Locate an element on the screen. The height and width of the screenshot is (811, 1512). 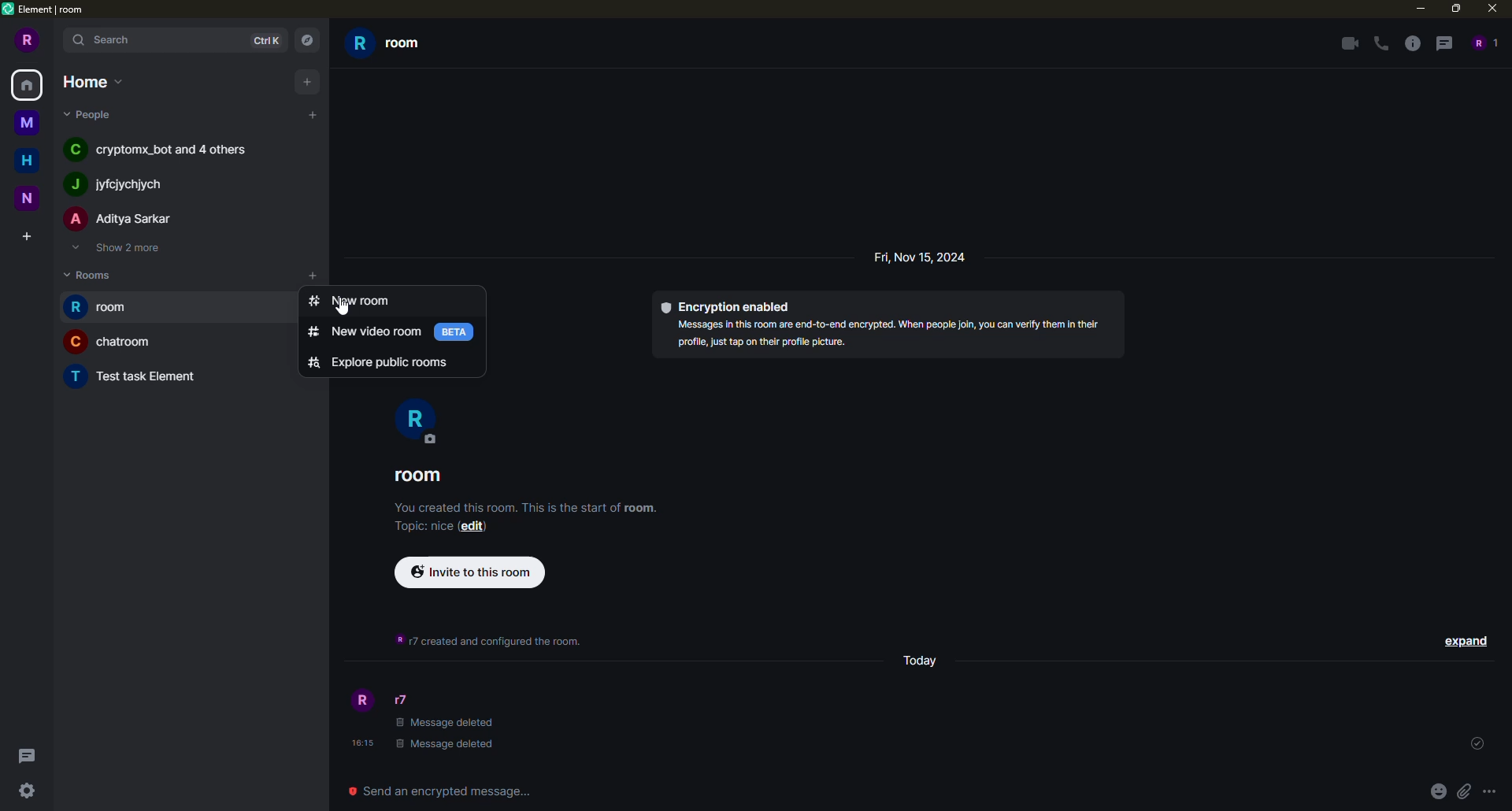
create space is located at coordinates (25, 235).